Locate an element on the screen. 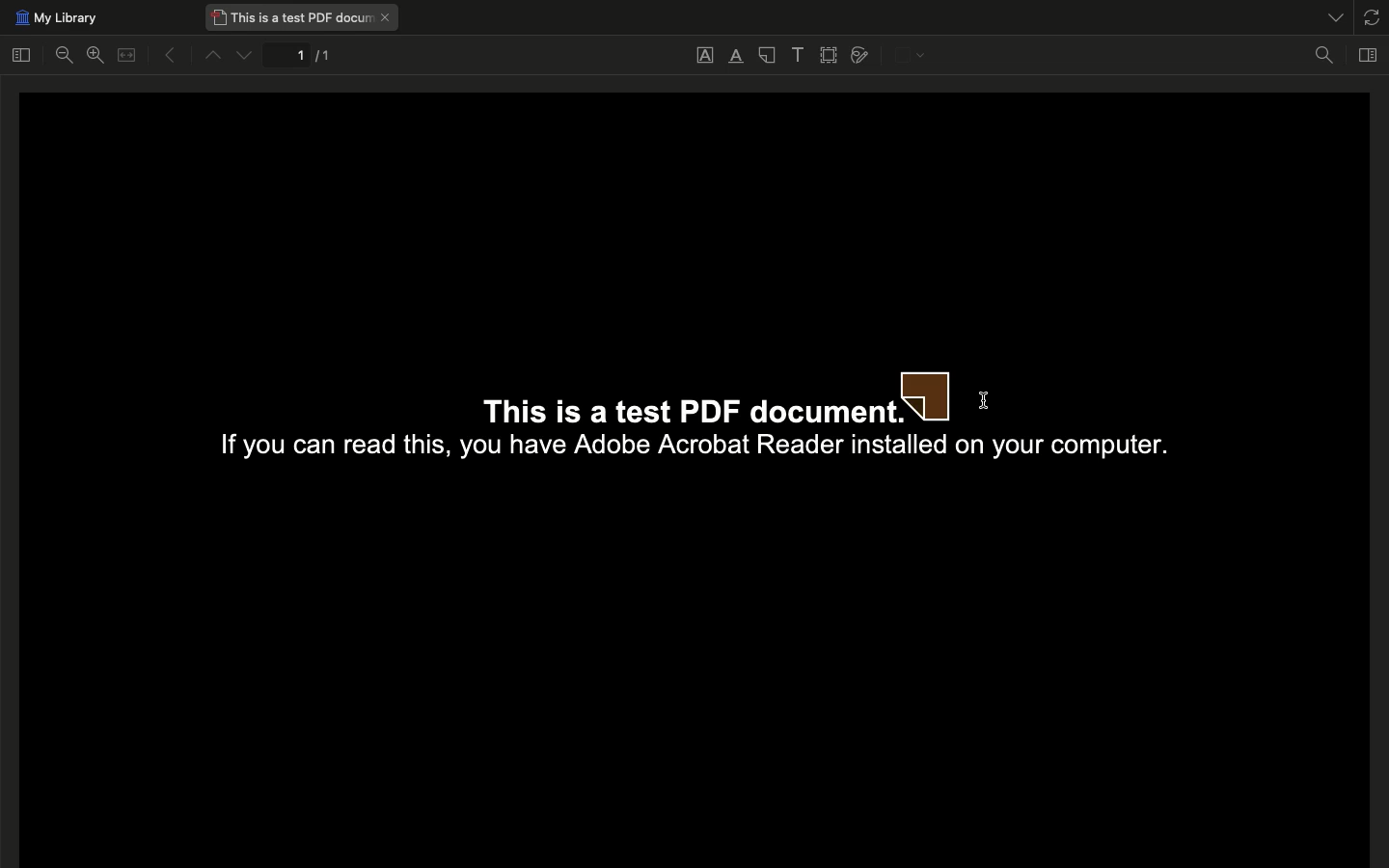  Zoom in is located at coordinates (95, 55).